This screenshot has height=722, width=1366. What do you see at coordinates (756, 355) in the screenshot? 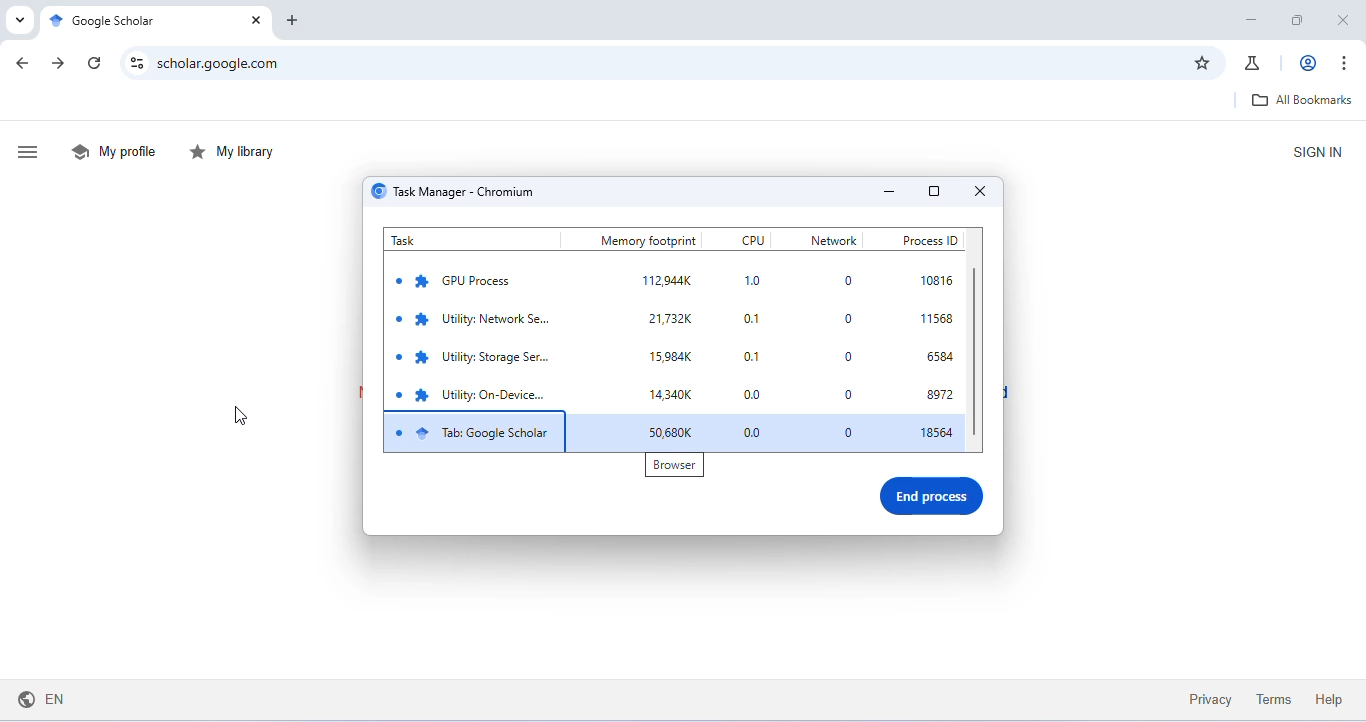
I see `0.1` at bounding box center [756, 355].